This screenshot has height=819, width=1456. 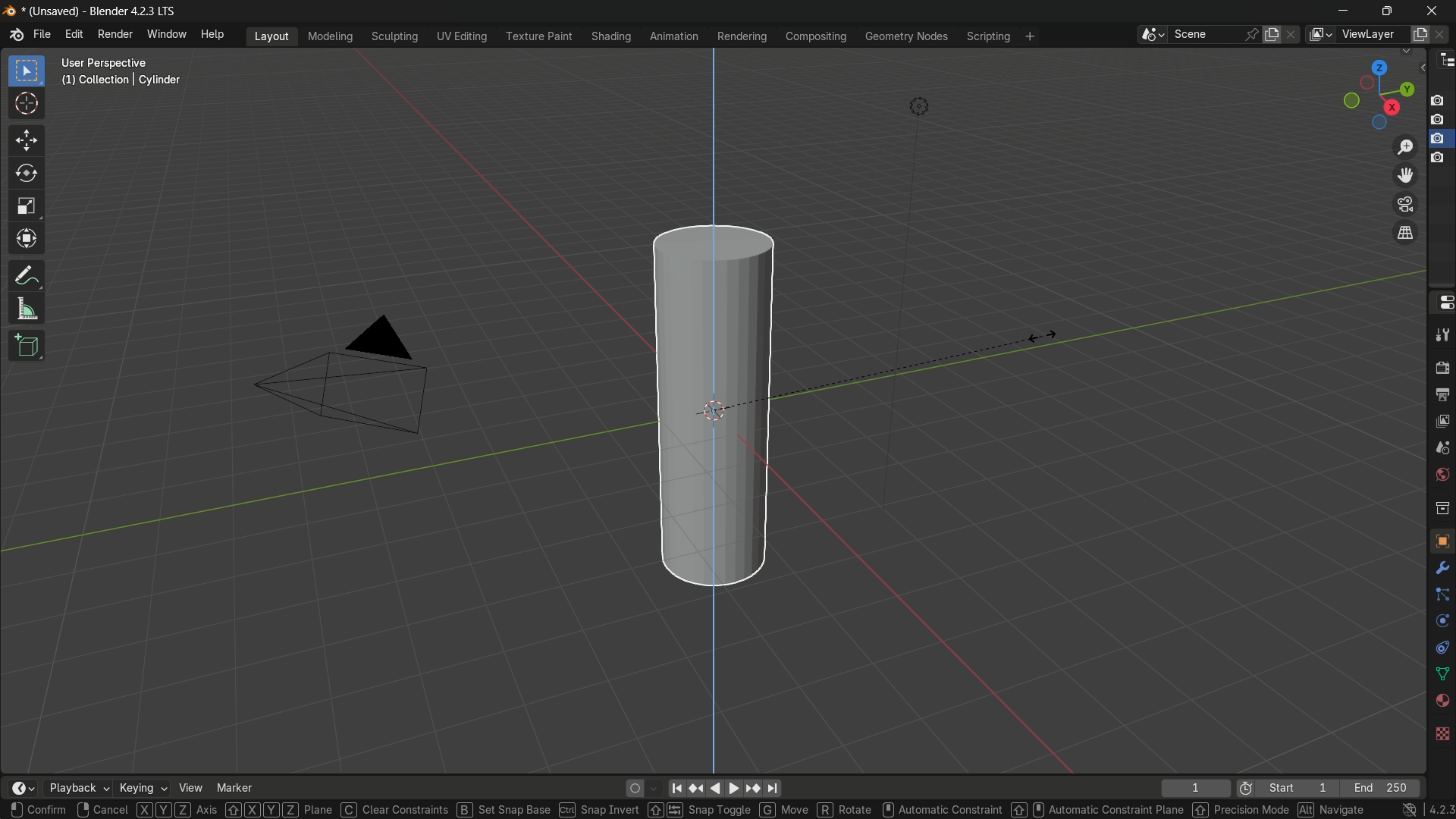 I want to click on move the view, so click(x=1402, y=175).